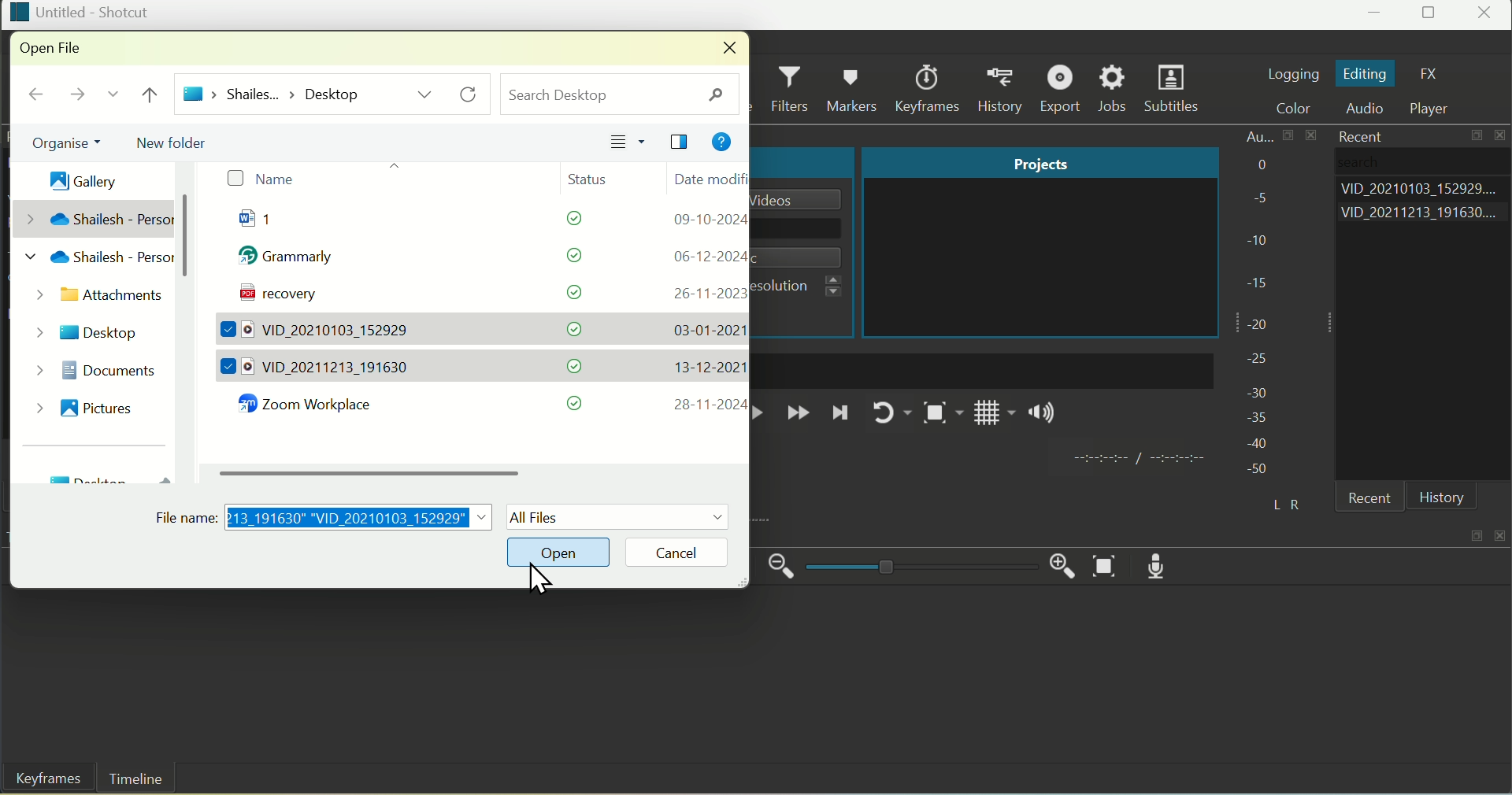  What do you see at coordinates (721, 144) in the screenshot?
I see `Help` at bounding box center [721, 144].